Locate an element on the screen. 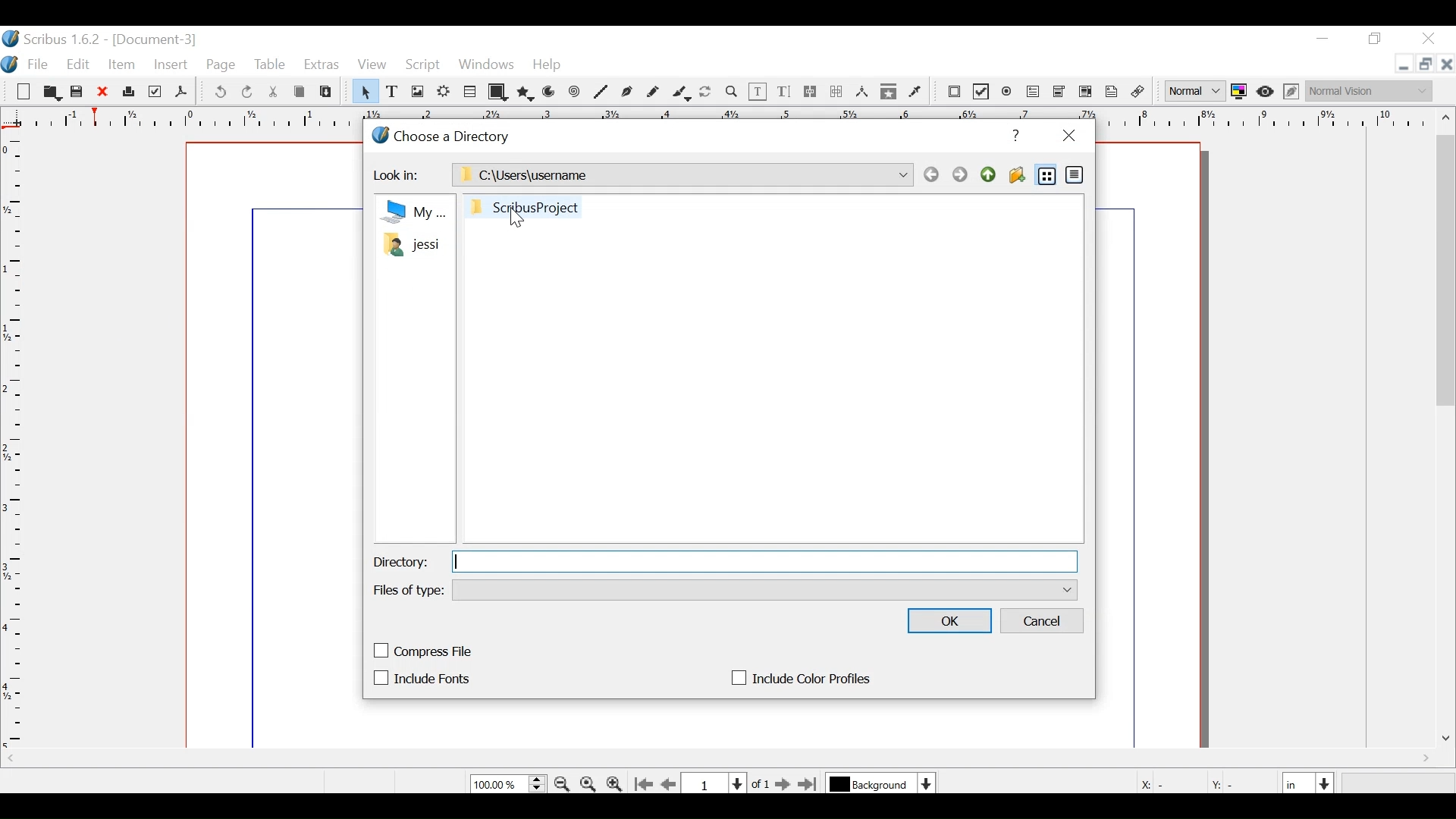  Zoom is located at coordinates (508, 784).